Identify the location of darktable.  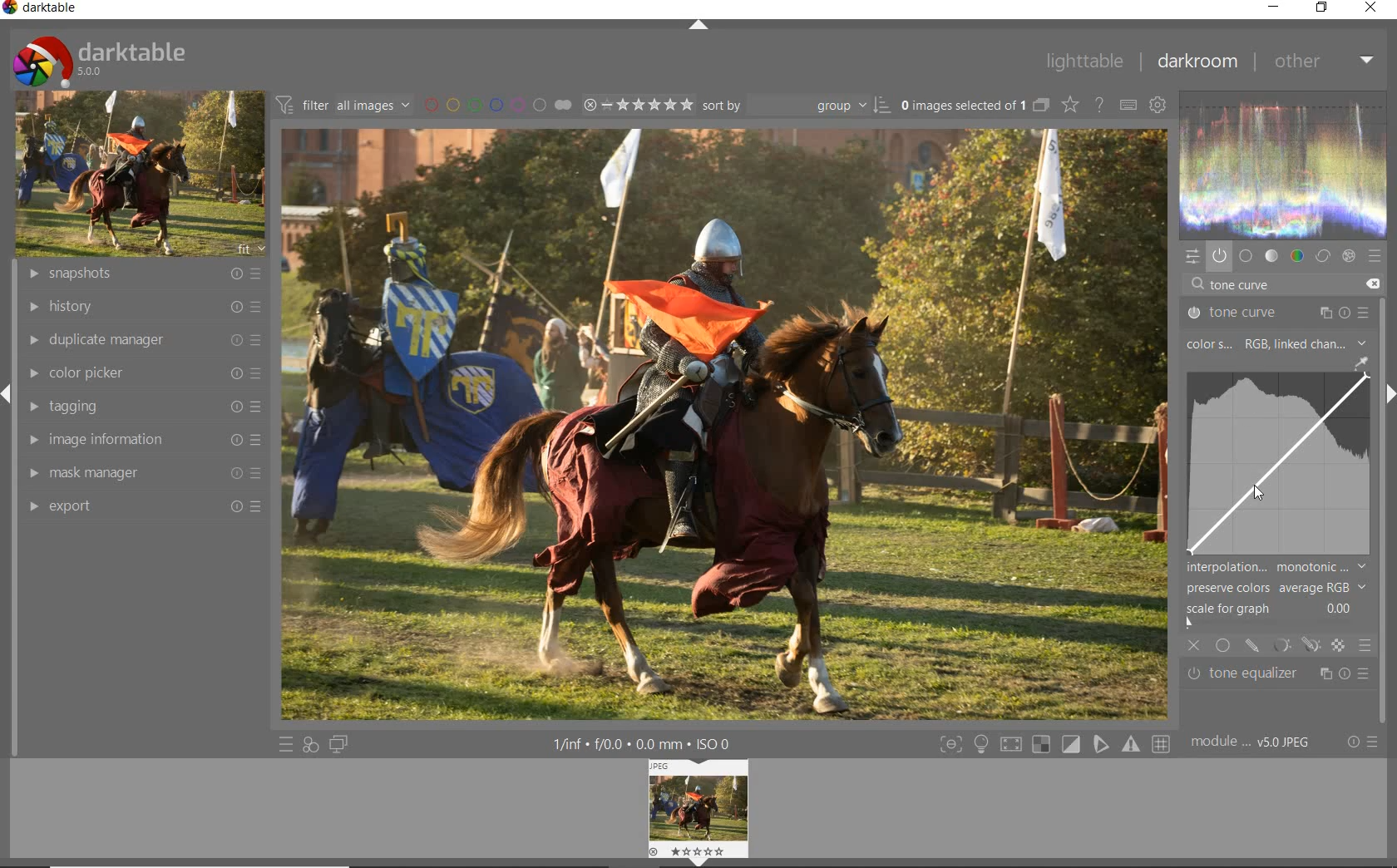
(45, 10).